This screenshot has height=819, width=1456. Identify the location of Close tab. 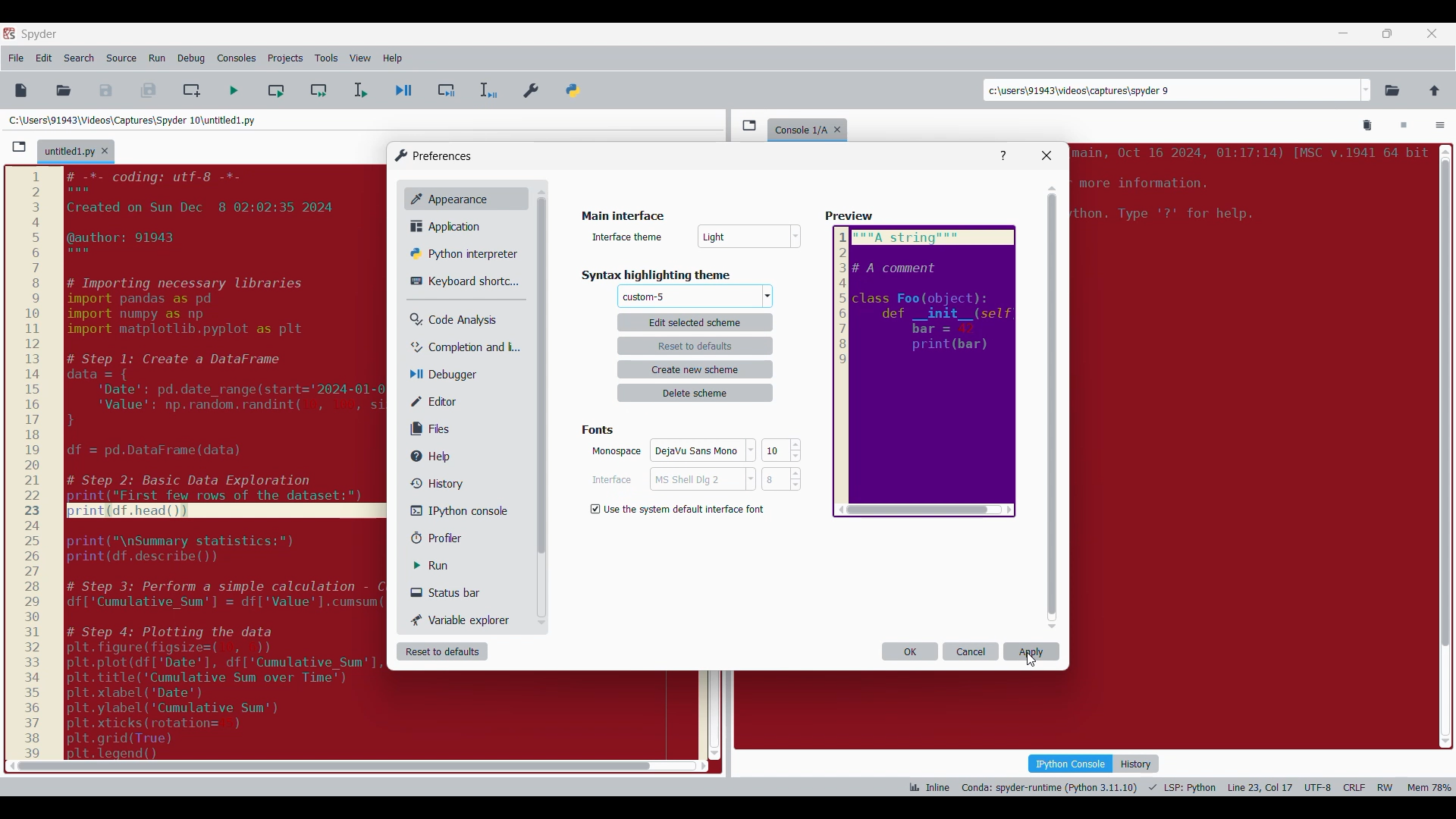
(1432, 33).